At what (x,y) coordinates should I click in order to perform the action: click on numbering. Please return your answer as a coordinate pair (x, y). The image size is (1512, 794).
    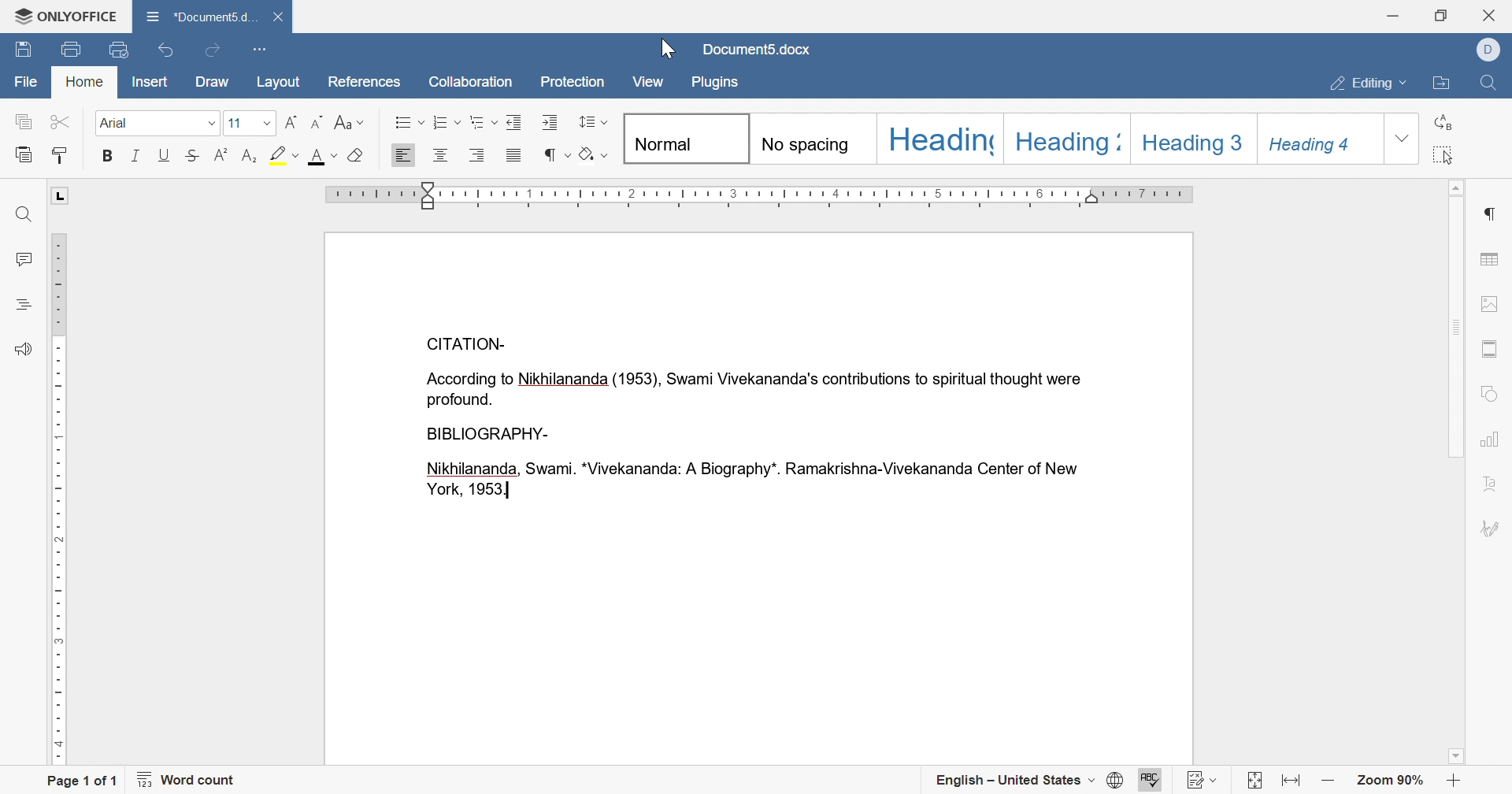
    Looking at the image, I should click on (447, 121).